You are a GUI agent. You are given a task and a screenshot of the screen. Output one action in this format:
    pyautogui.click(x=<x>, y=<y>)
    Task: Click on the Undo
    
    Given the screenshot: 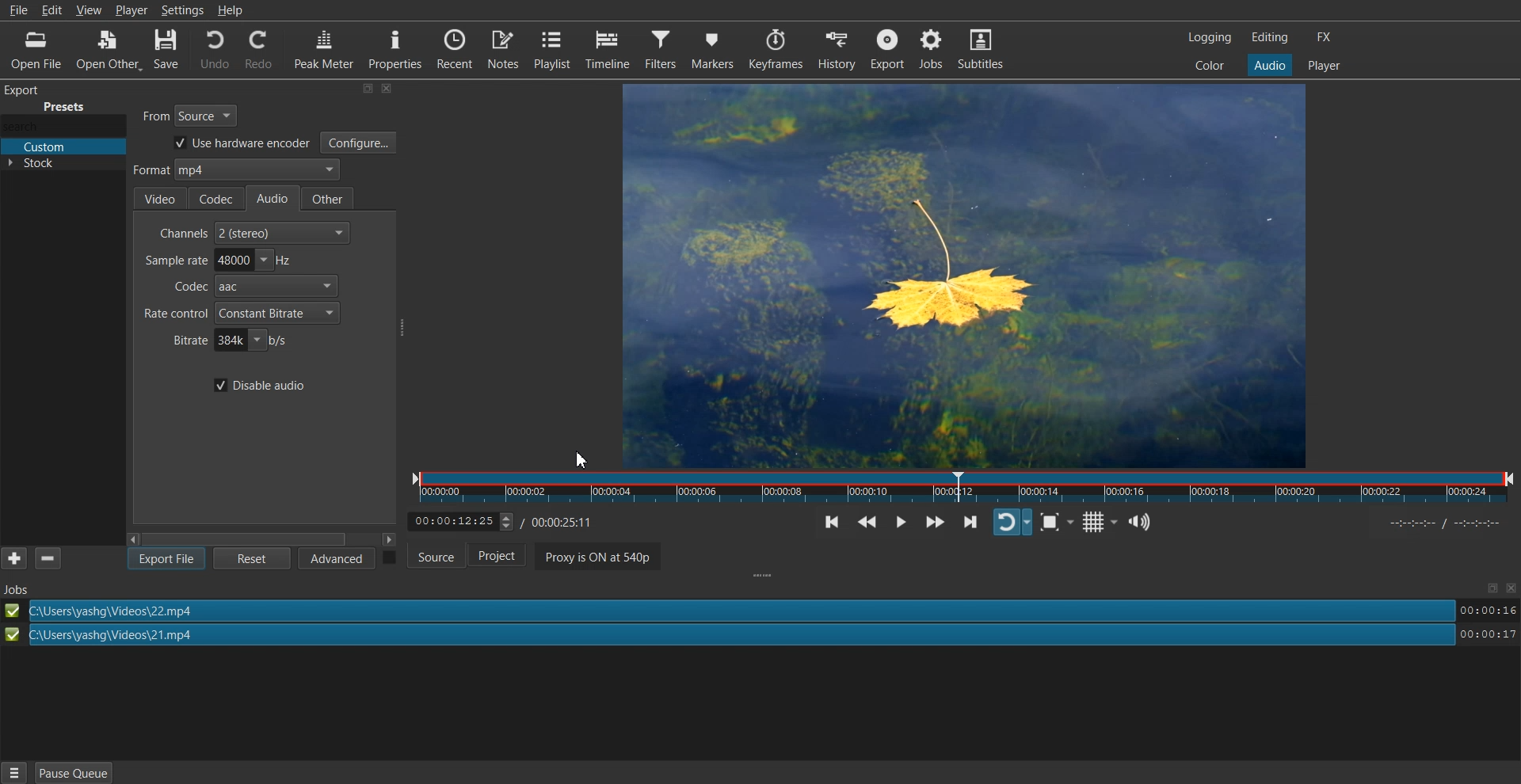 What is the action you would take?
    pyautogui.click(x=214, y=50)
    